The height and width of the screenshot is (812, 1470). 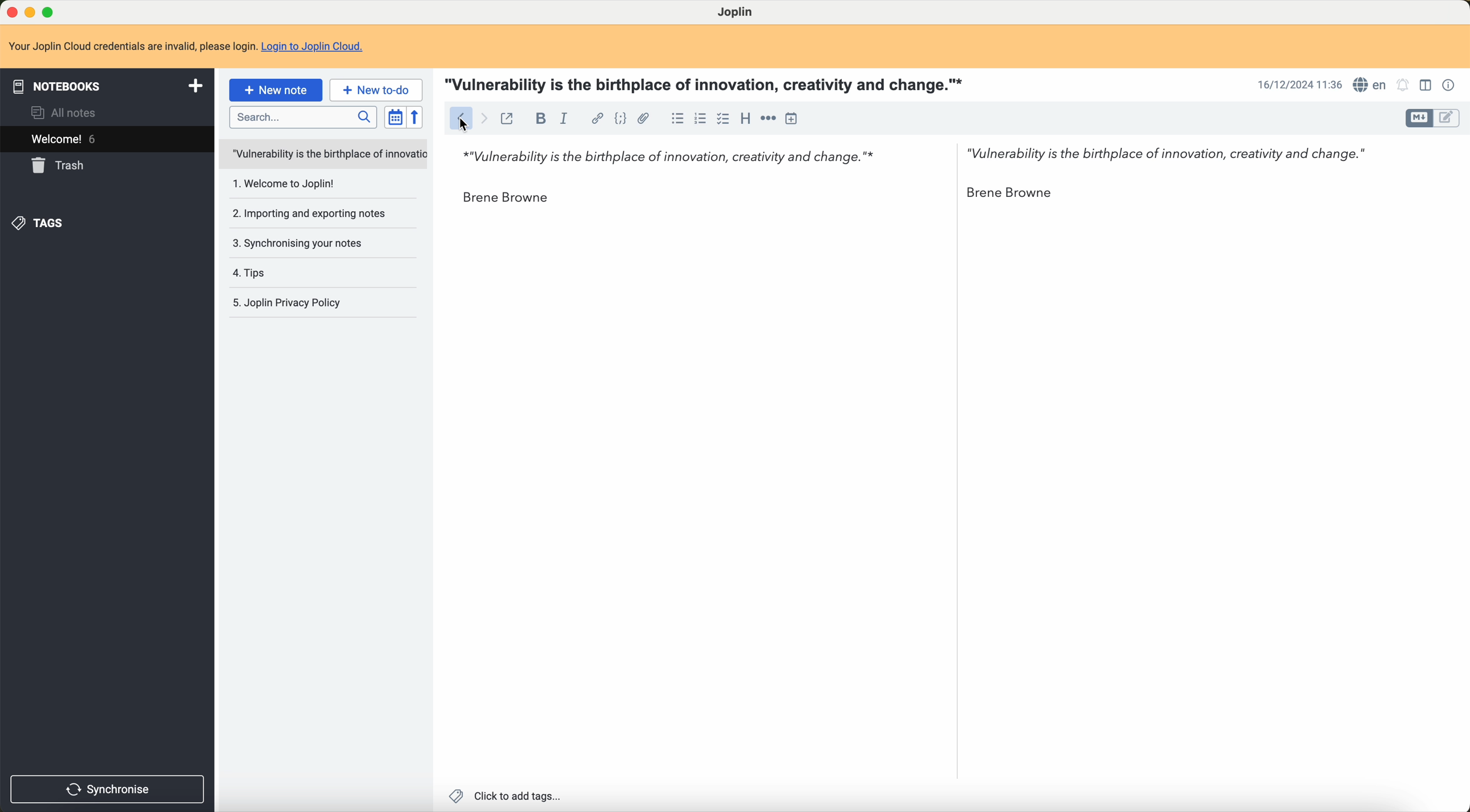 I want to click on toggle sort order field, so click(x=392, y=116).